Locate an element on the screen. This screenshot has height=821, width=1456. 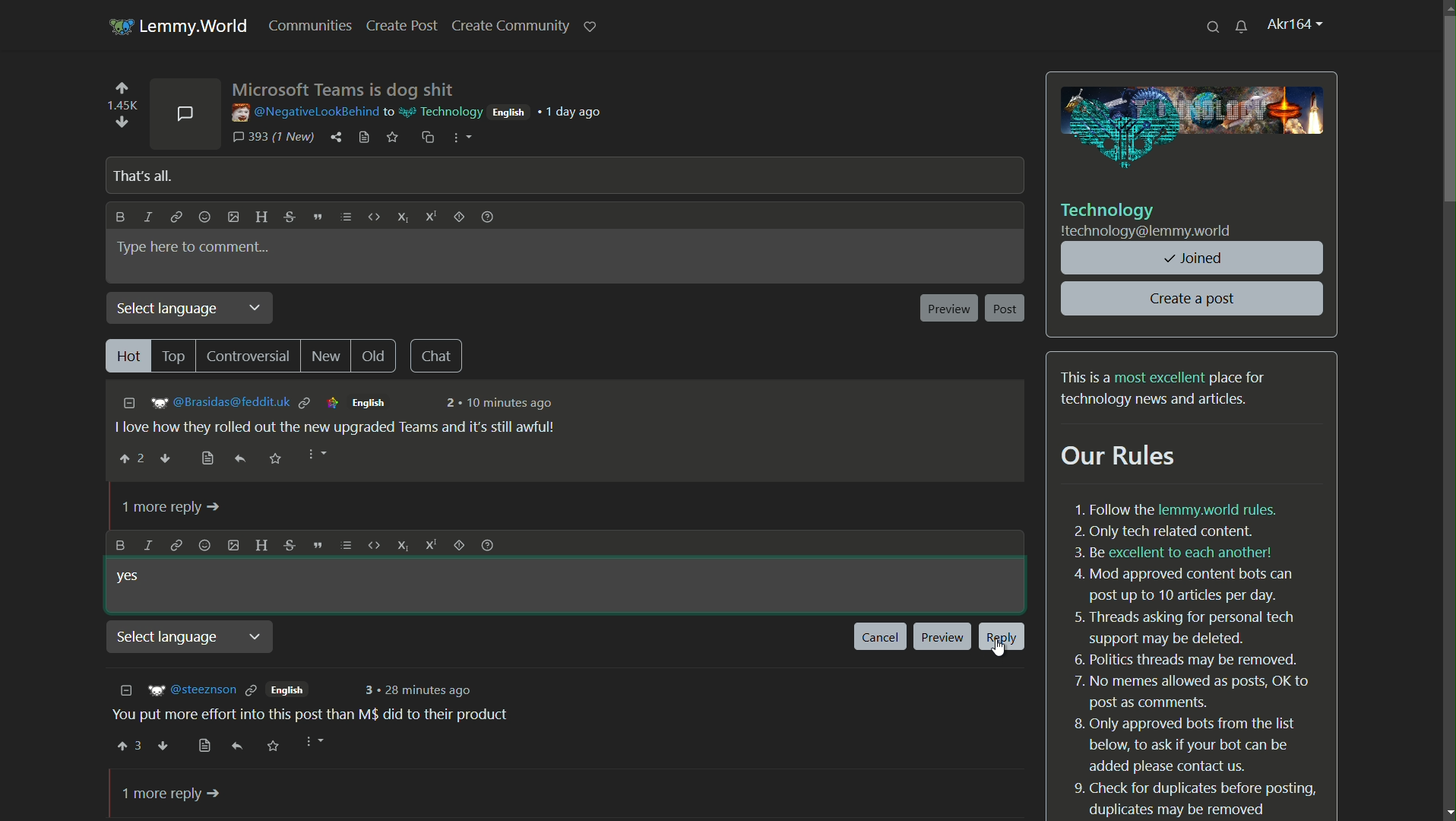
joined is located at coordinates (1194, 258).